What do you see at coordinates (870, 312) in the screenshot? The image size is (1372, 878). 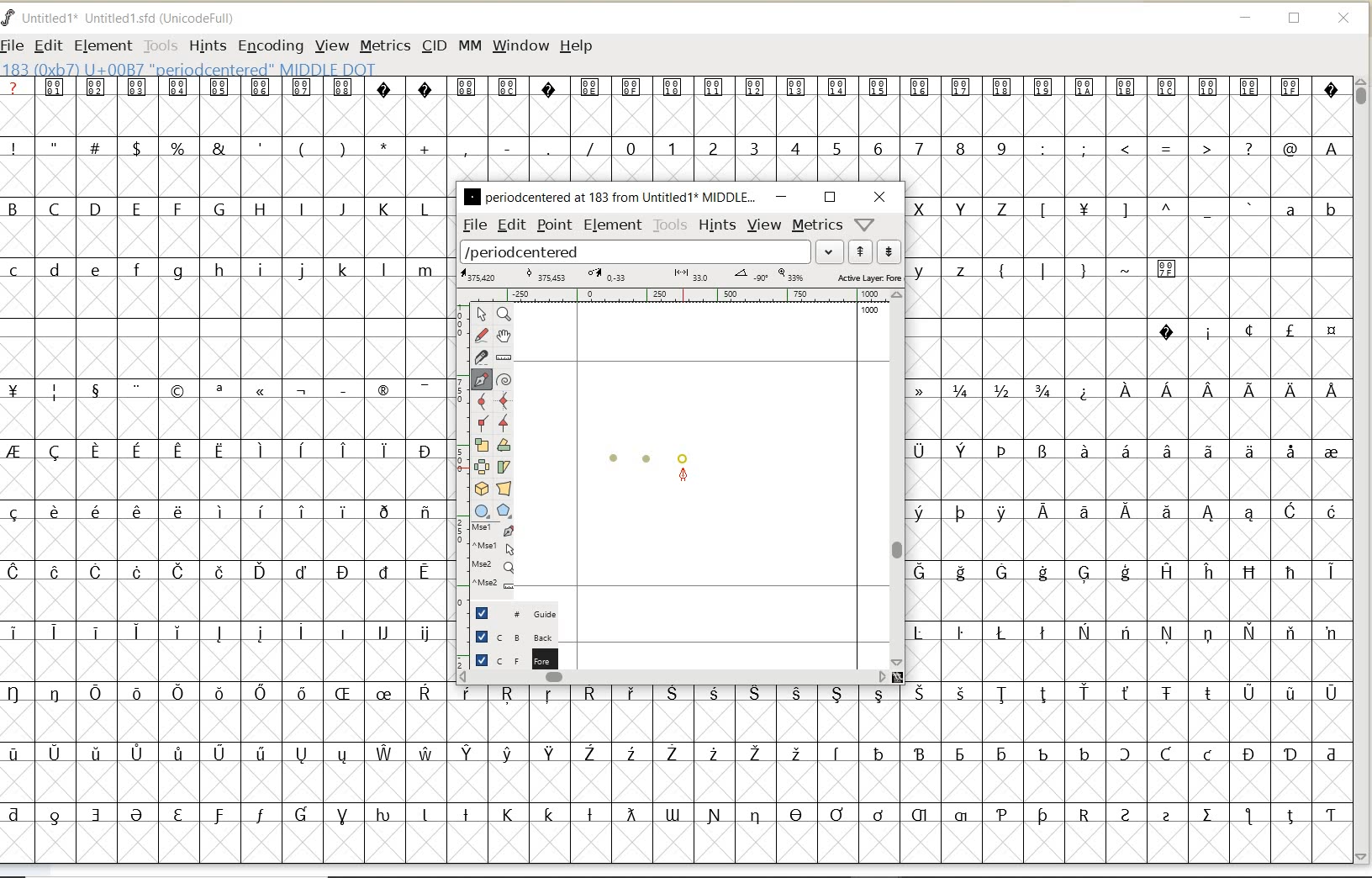 I see `1000` at bounding box center [870, 312].